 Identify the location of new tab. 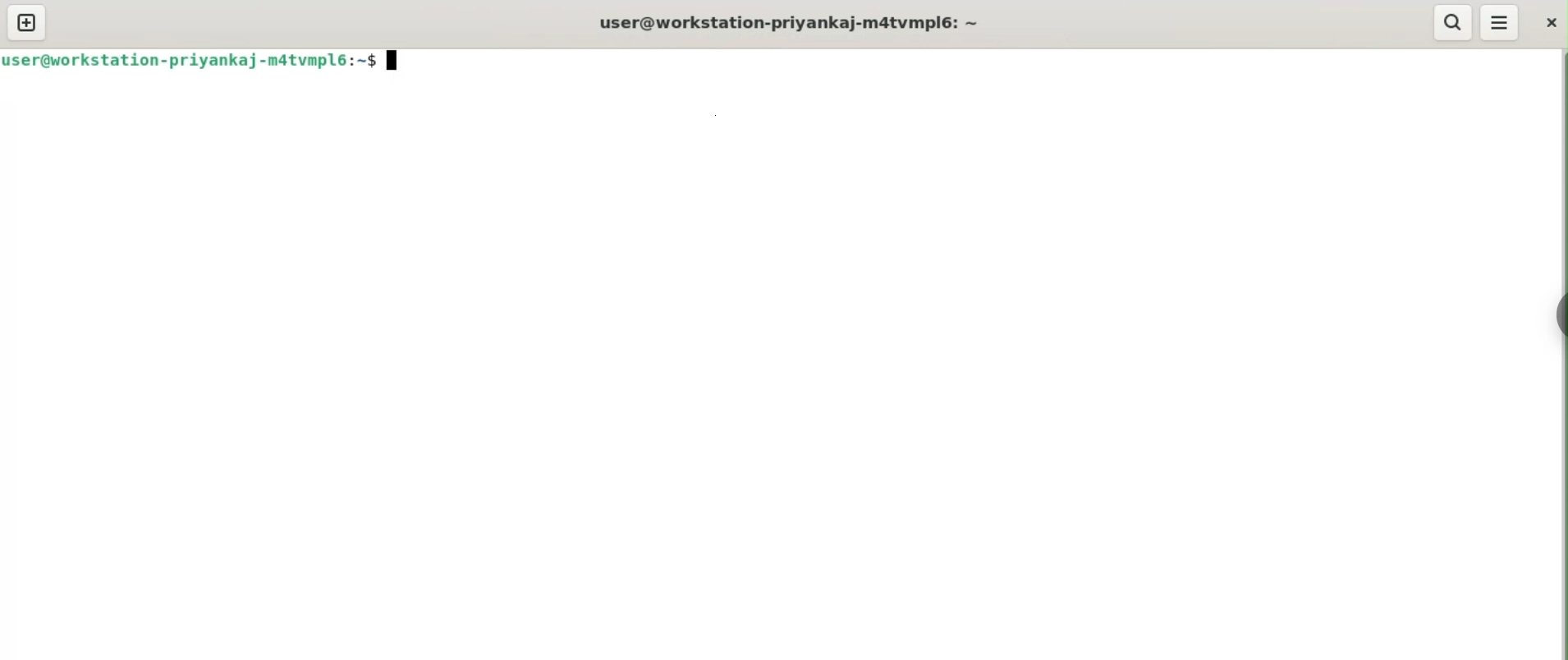
(27, 21).